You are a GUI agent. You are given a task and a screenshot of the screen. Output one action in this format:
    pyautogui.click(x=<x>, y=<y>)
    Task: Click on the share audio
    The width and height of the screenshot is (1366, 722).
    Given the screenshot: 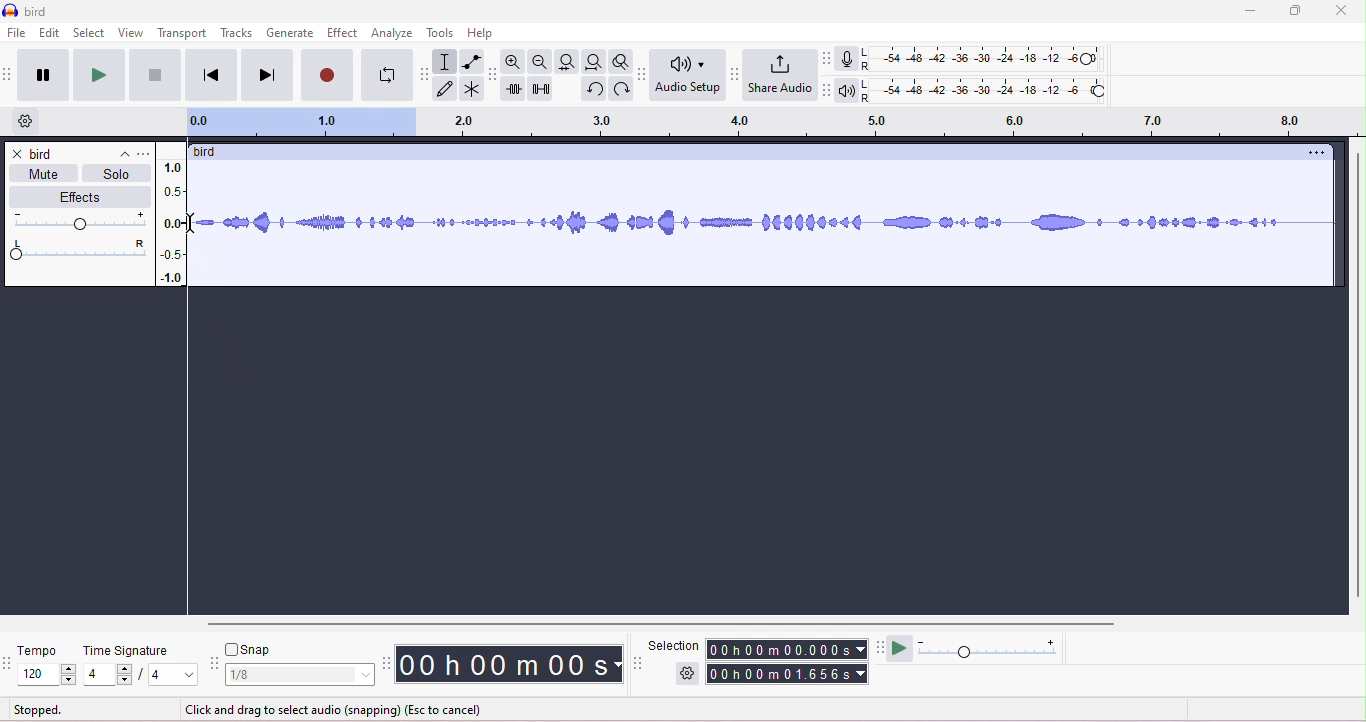 What is the action you would take?
    pyautogui.click(x=783, y=75)
    